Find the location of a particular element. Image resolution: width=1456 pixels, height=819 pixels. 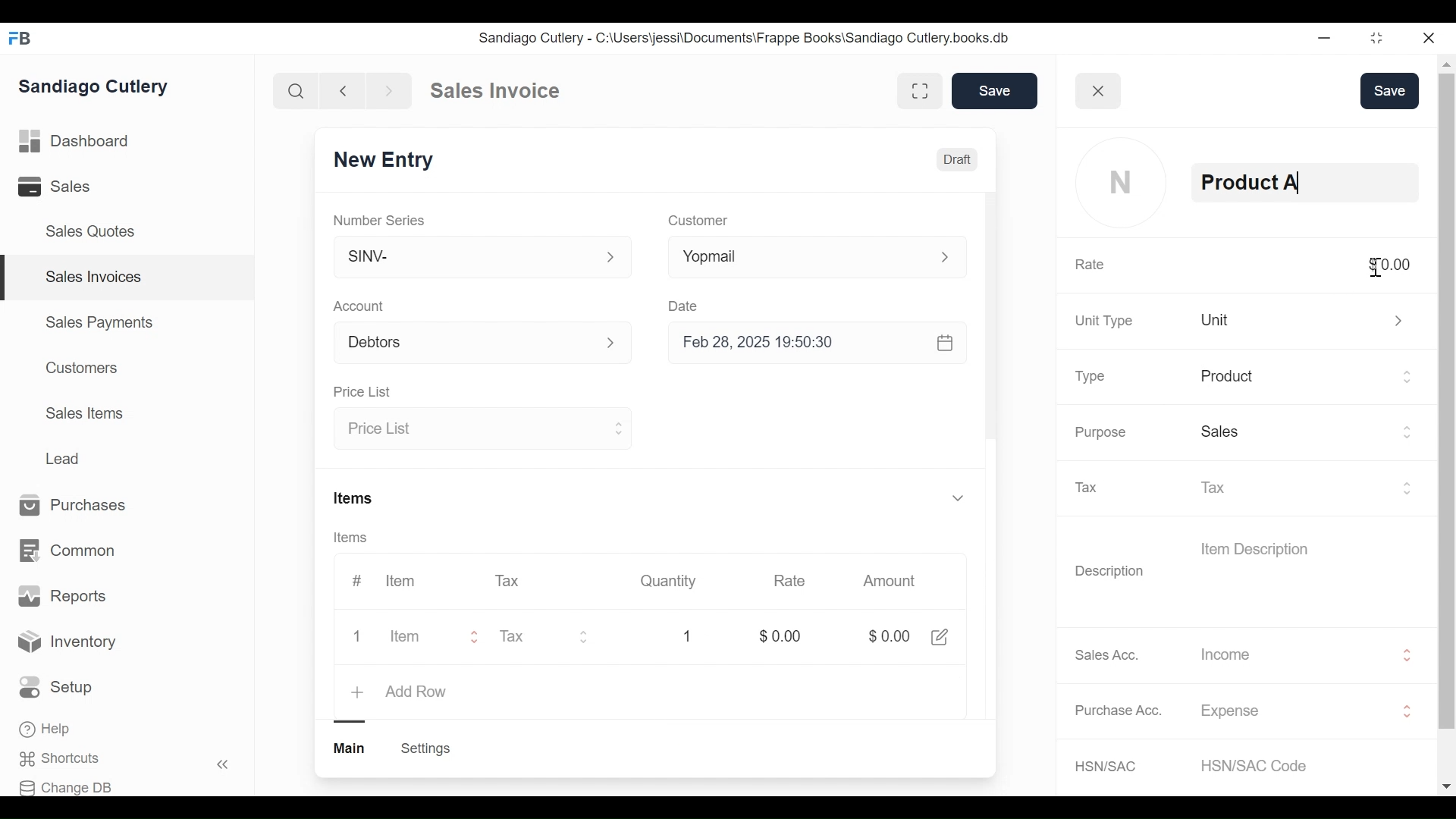

+ add row is located at coordinates (402, 690).